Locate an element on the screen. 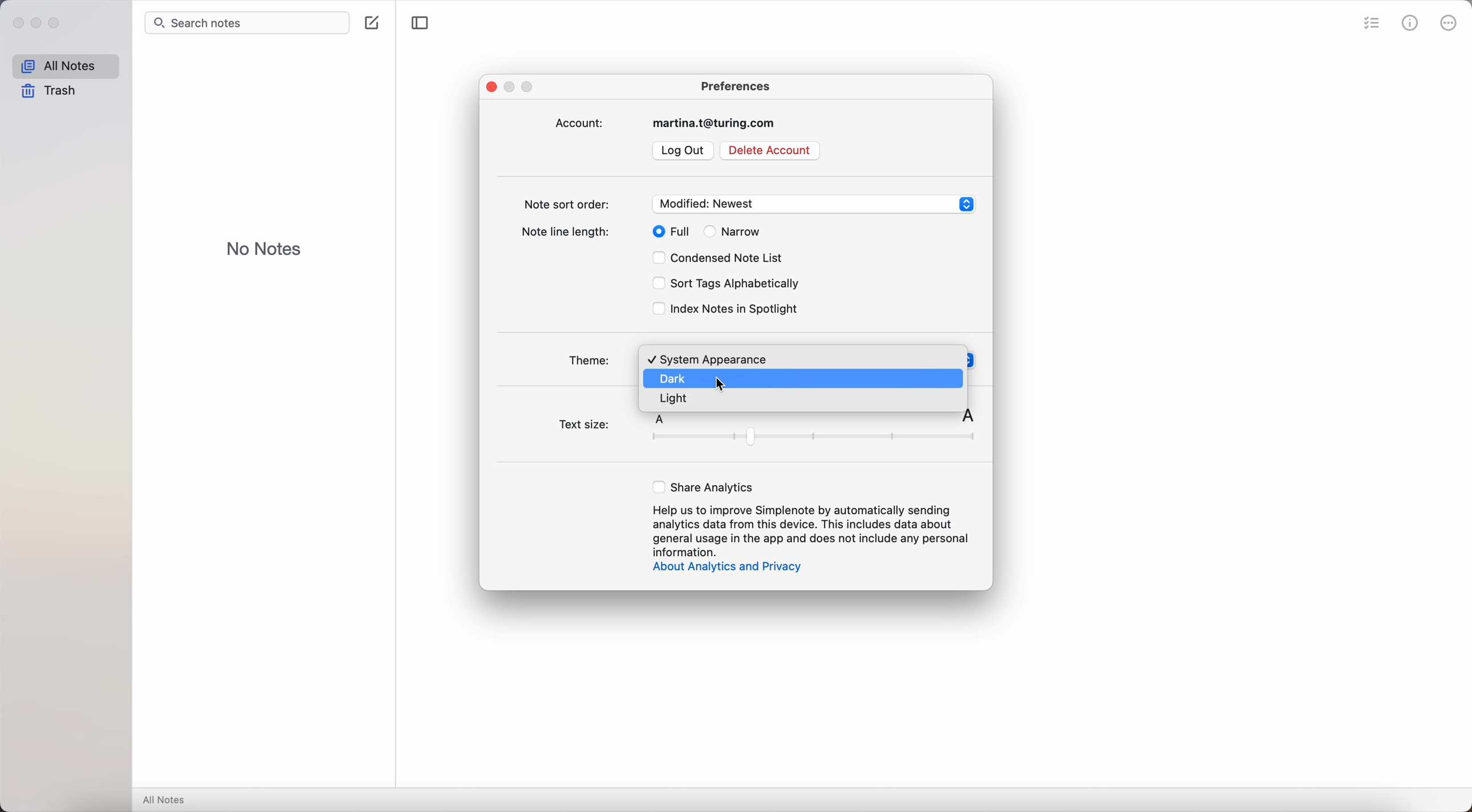 The image size is (1472, 812). note sort order is located at coordinates (749, 203).